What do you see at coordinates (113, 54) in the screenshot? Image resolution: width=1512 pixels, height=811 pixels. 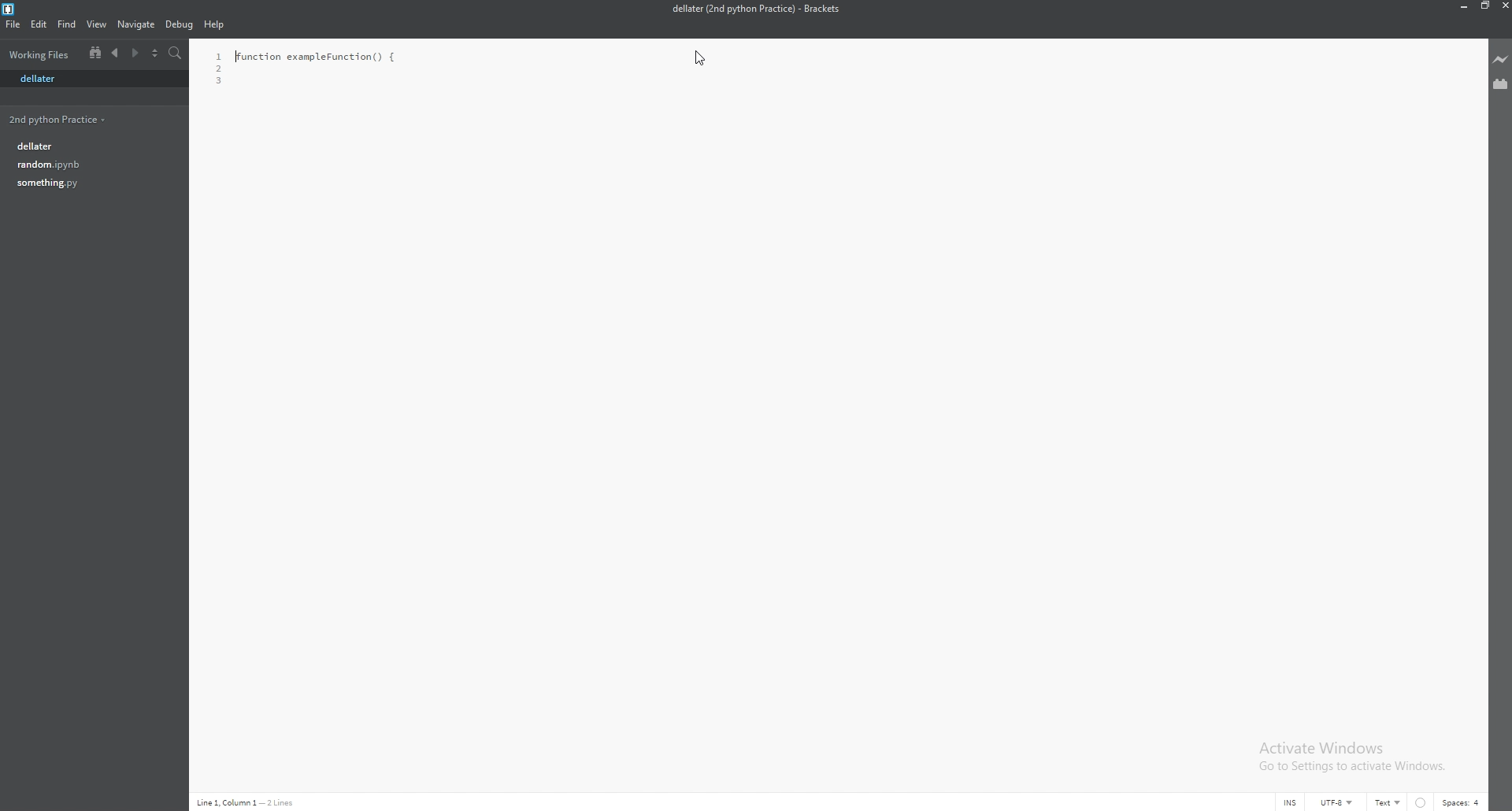 I see `previous` at bounding box center [113, 54].